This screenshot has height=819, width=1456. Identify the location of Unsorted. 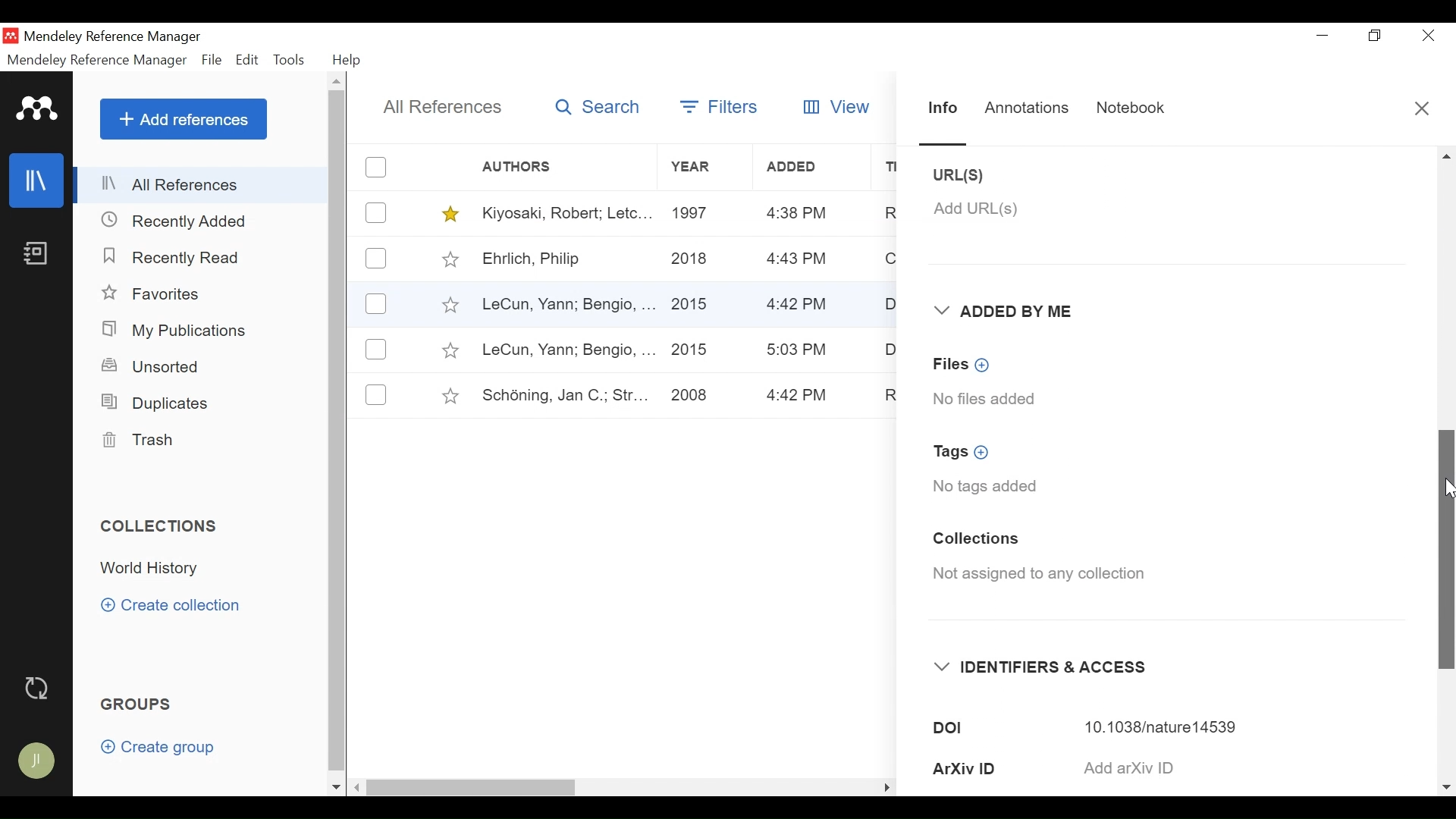
(152, 366).